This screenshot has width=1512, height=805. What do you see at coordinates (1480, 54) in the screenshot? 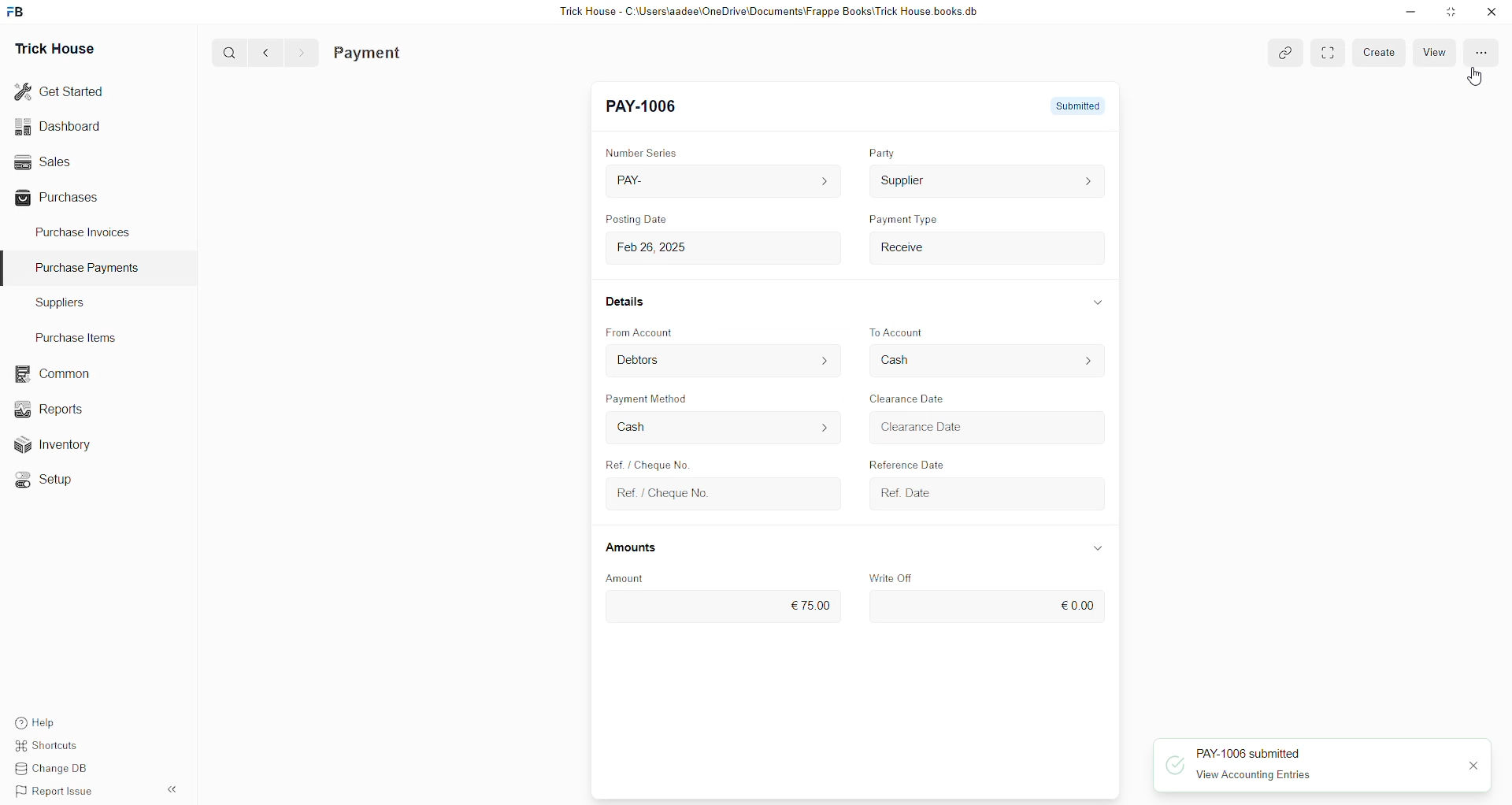
I see `More` at bounding box center [1480, 54].